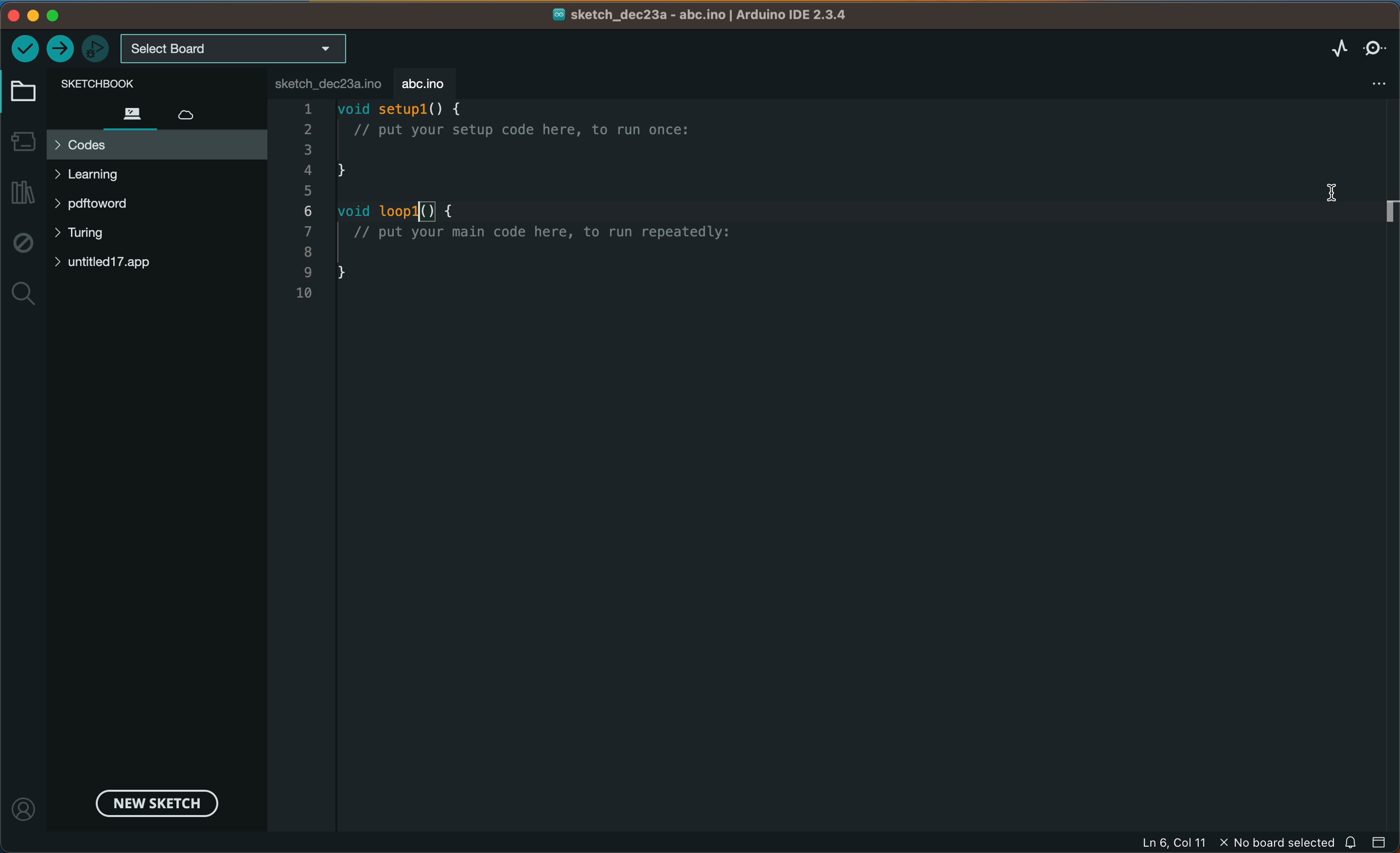  Describe the element at coordinates (1349, 842) in the screenshot. I see `notification` at that location.